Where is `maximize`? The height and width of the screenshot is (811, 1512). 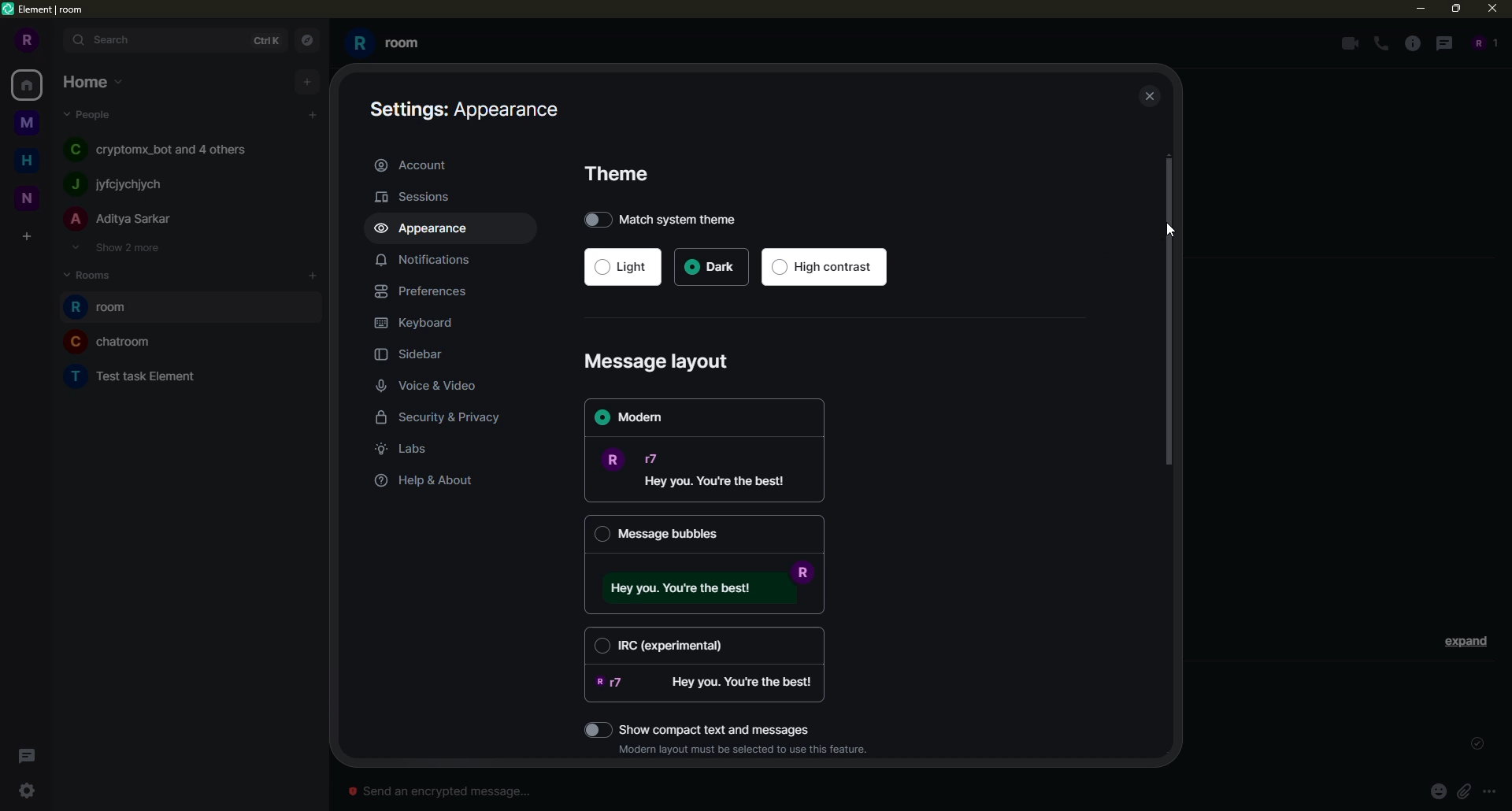
maximize is located at coordinates (1457, 9).